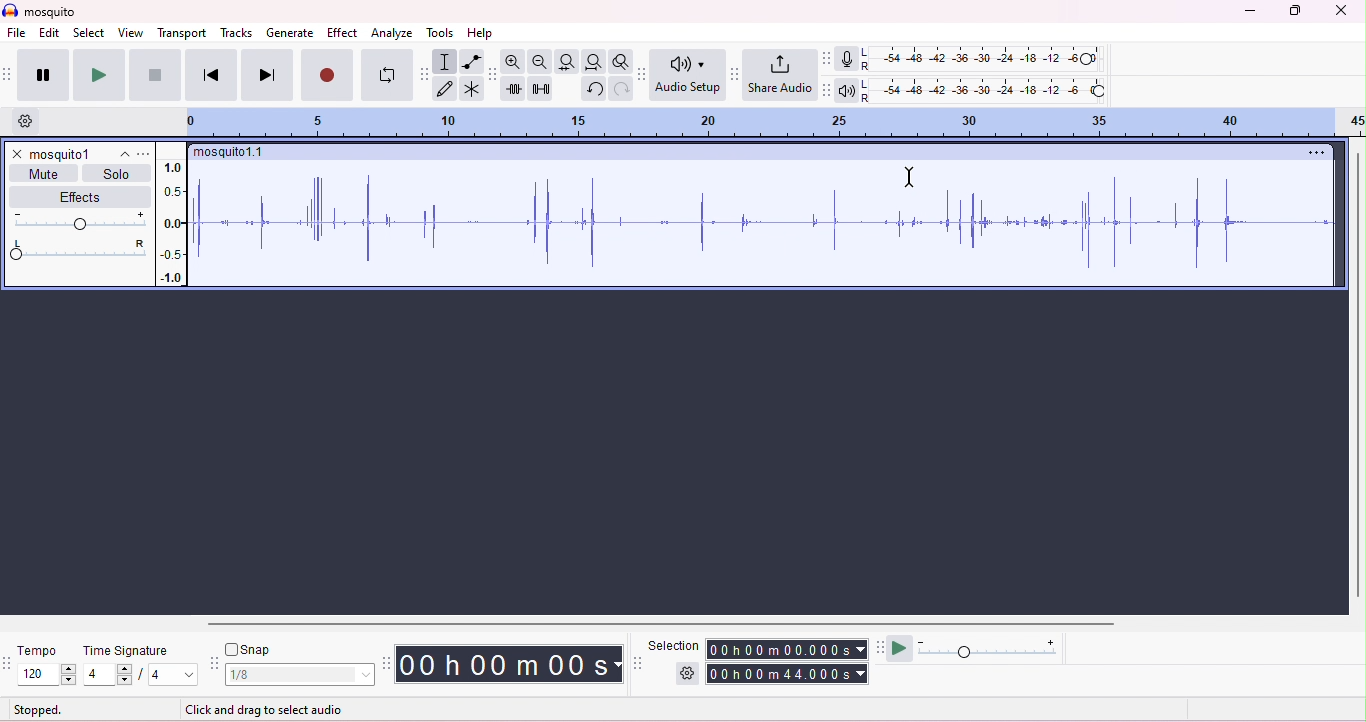 The image size is (1366, 722). What do you see at coordinates (154, 75) in the screenshot?
I see `stop` at bounding box center [154, 75].